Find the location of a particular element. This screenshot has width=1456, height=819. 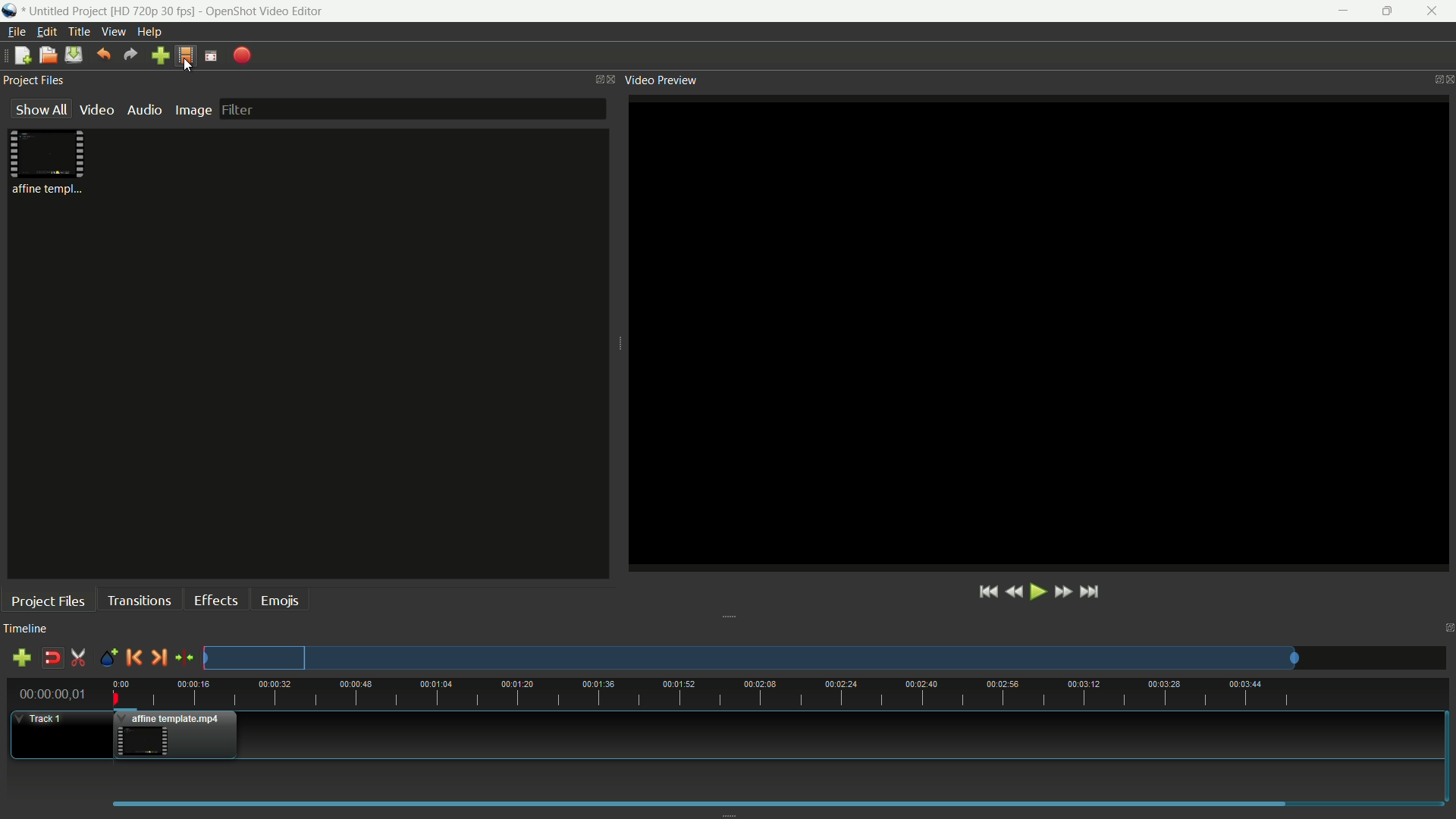

profile is located at coordinates (152, 11).